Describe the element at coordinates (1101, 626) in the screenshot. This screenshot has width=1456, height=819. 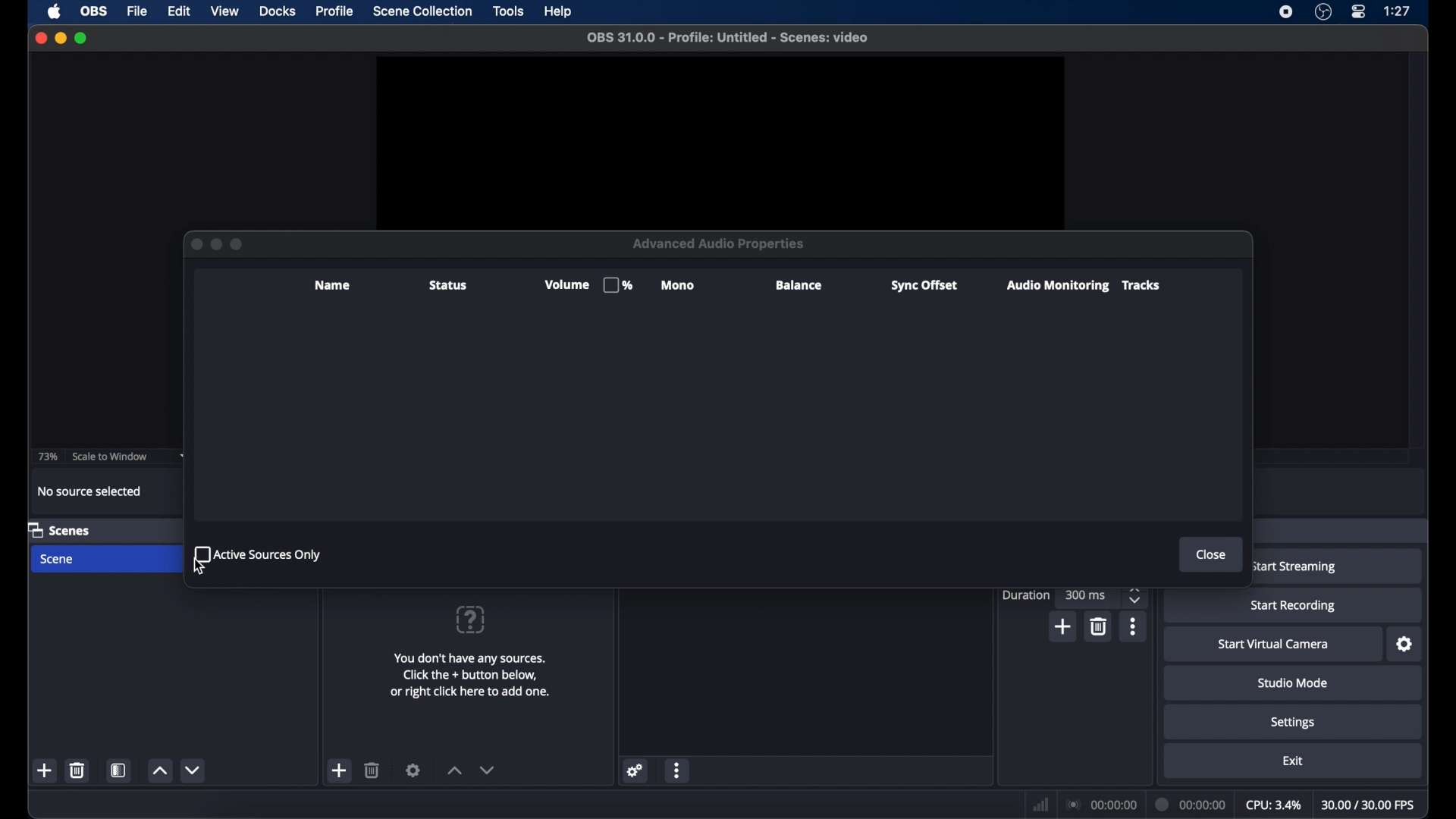
I see `delete` at that location.